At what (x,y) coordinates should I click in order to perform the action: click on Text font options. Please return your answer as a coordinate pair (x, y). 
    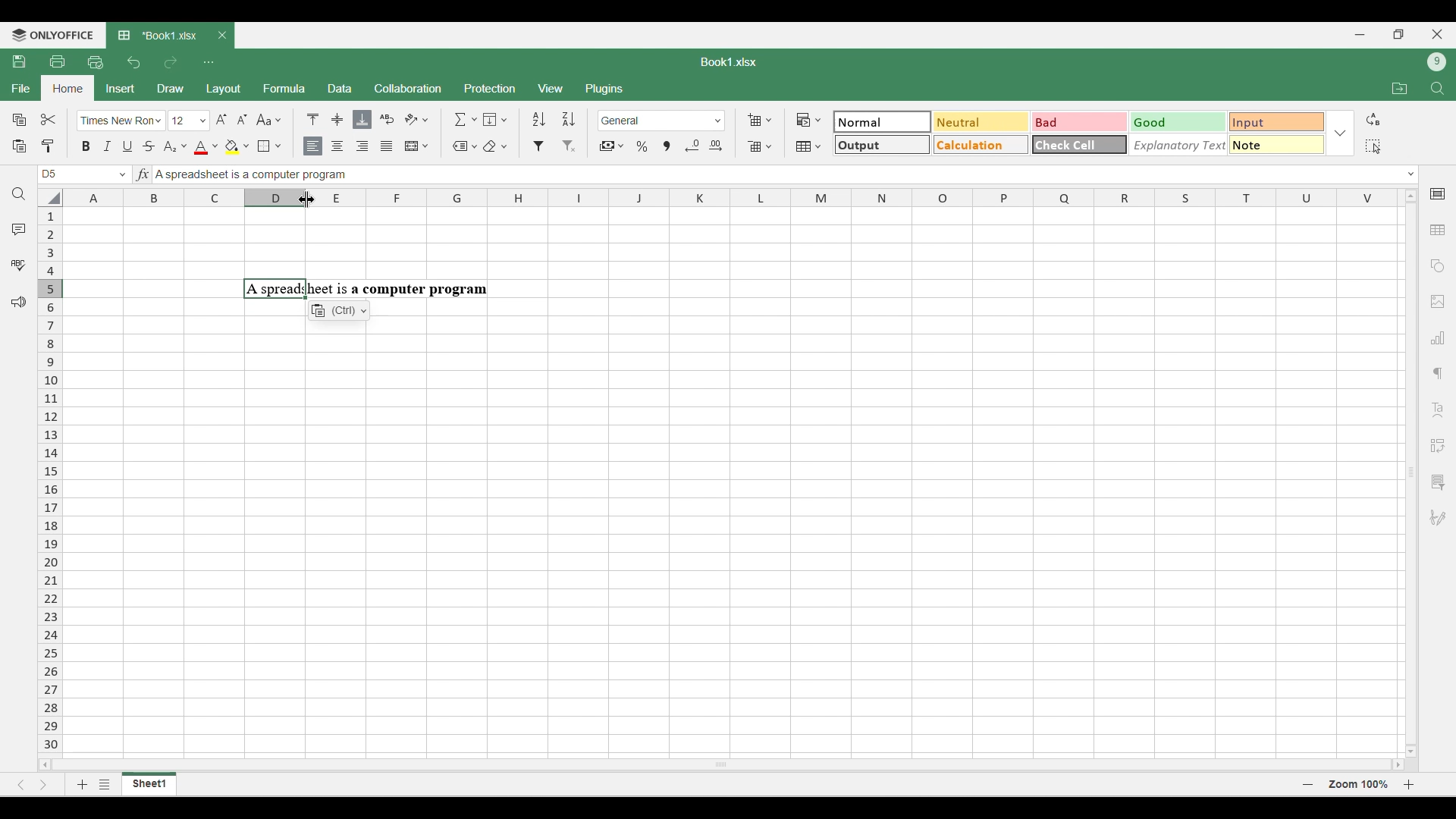
    Looking at the image, I should click on (121, 121).